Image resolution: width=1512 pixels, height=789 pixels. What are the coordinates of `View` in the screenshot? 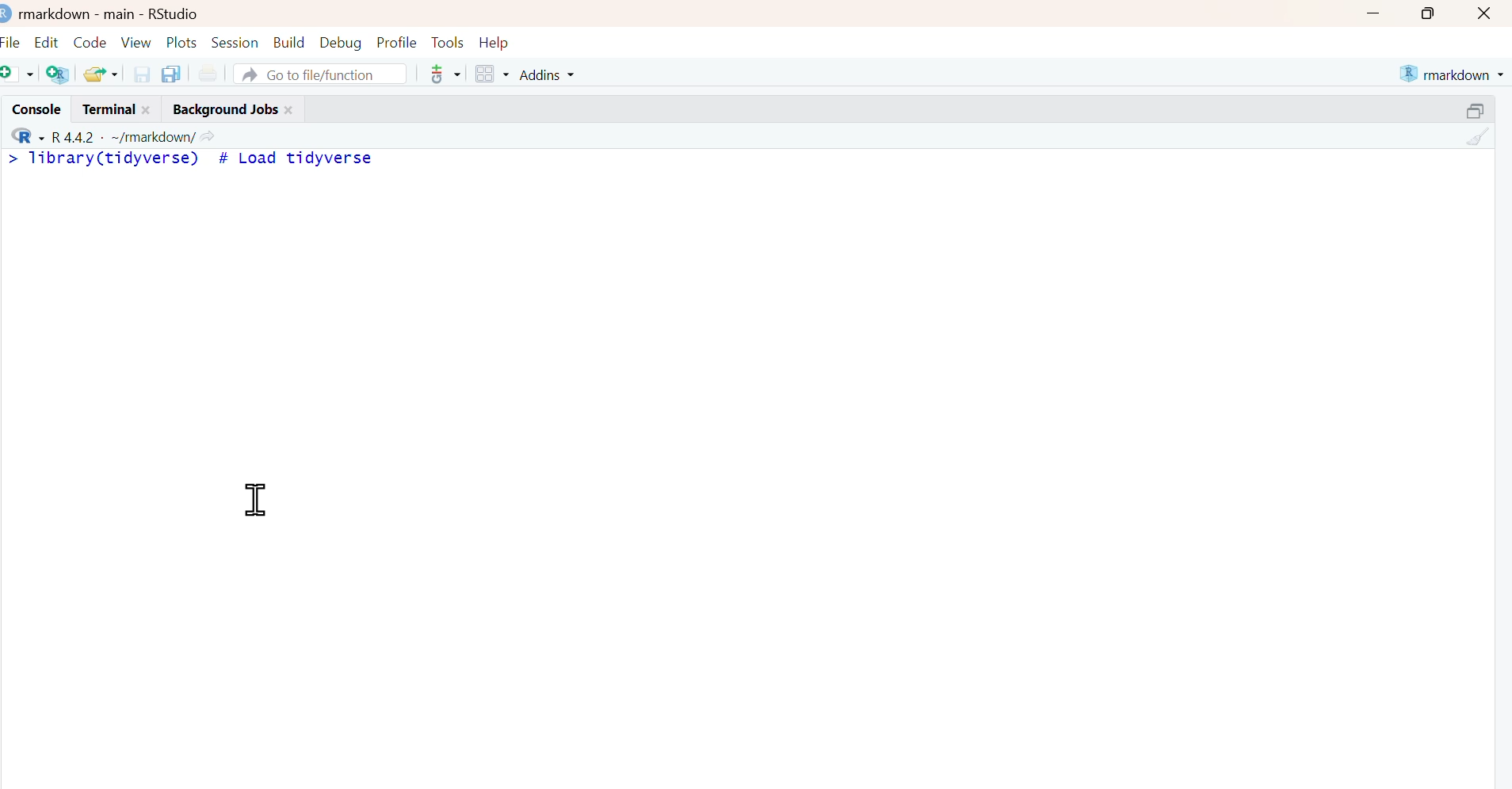 It's located at (138, 40).